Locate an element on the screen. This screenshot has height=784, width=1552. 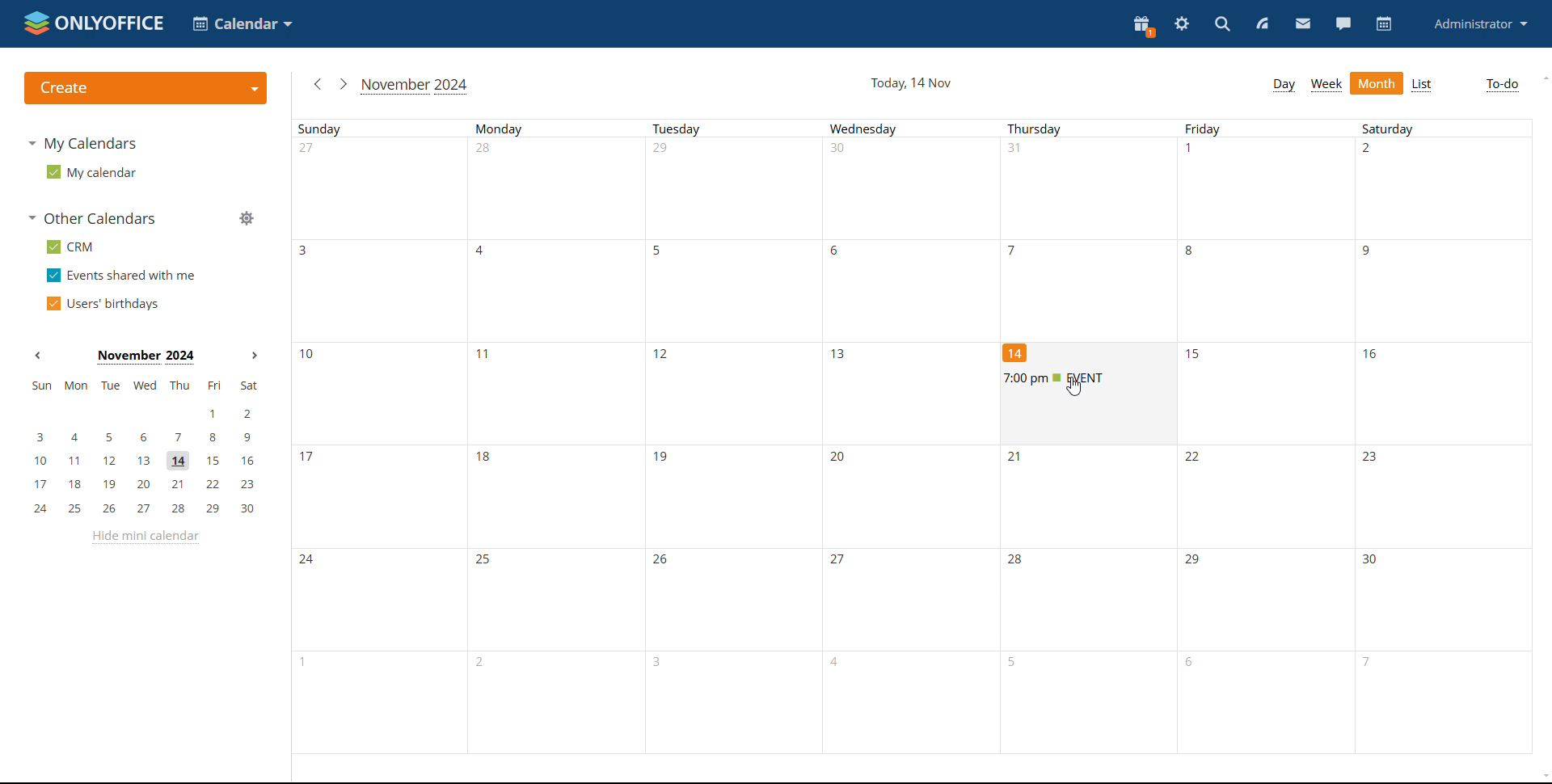
days of a month is located at coordinates (816, 395).